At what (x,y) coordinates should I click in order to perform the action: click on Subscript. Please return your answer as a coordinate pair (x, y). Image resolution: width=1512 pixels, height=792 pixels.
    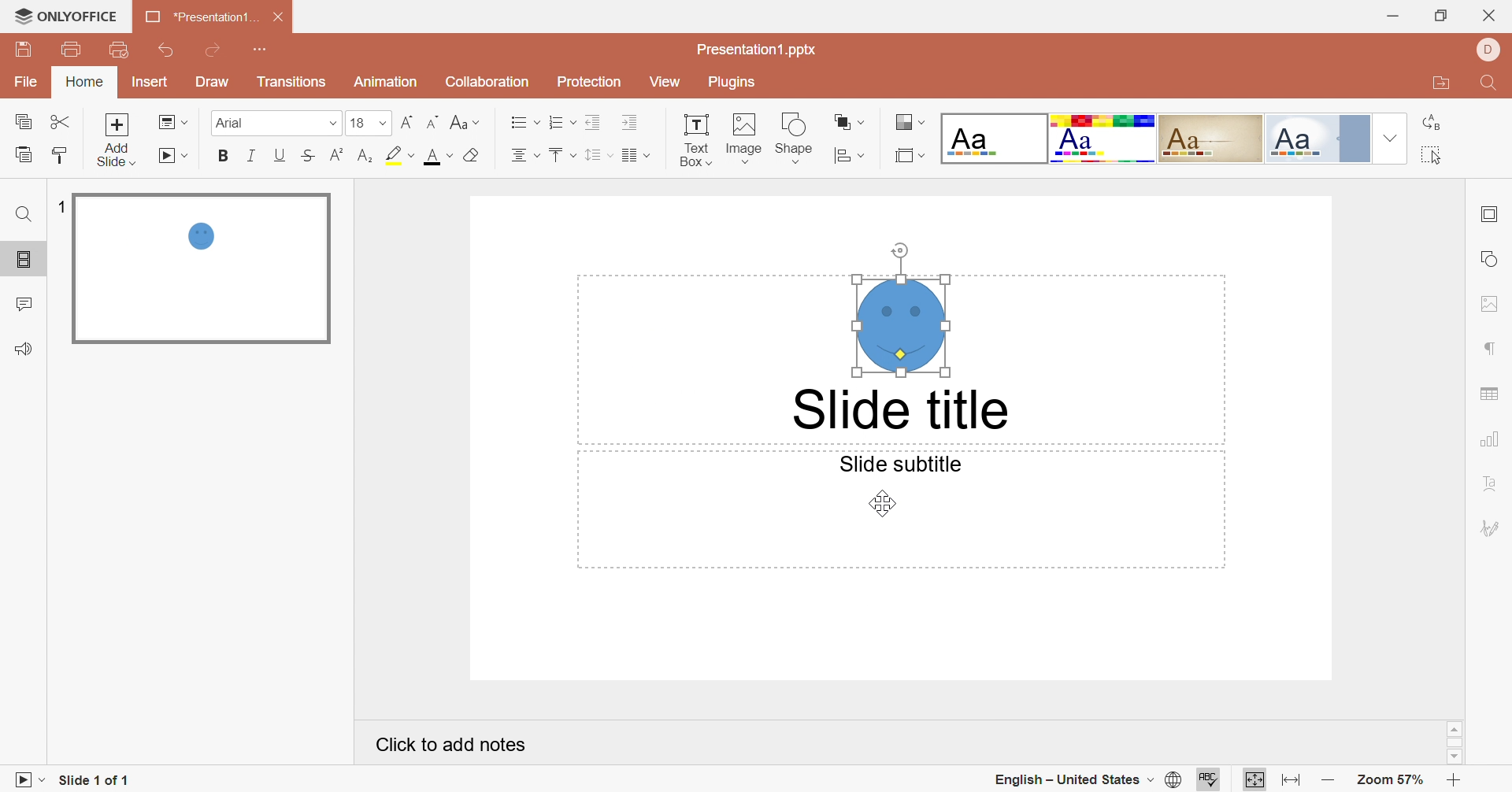
    Looking at the image, I should click on (365, 156).